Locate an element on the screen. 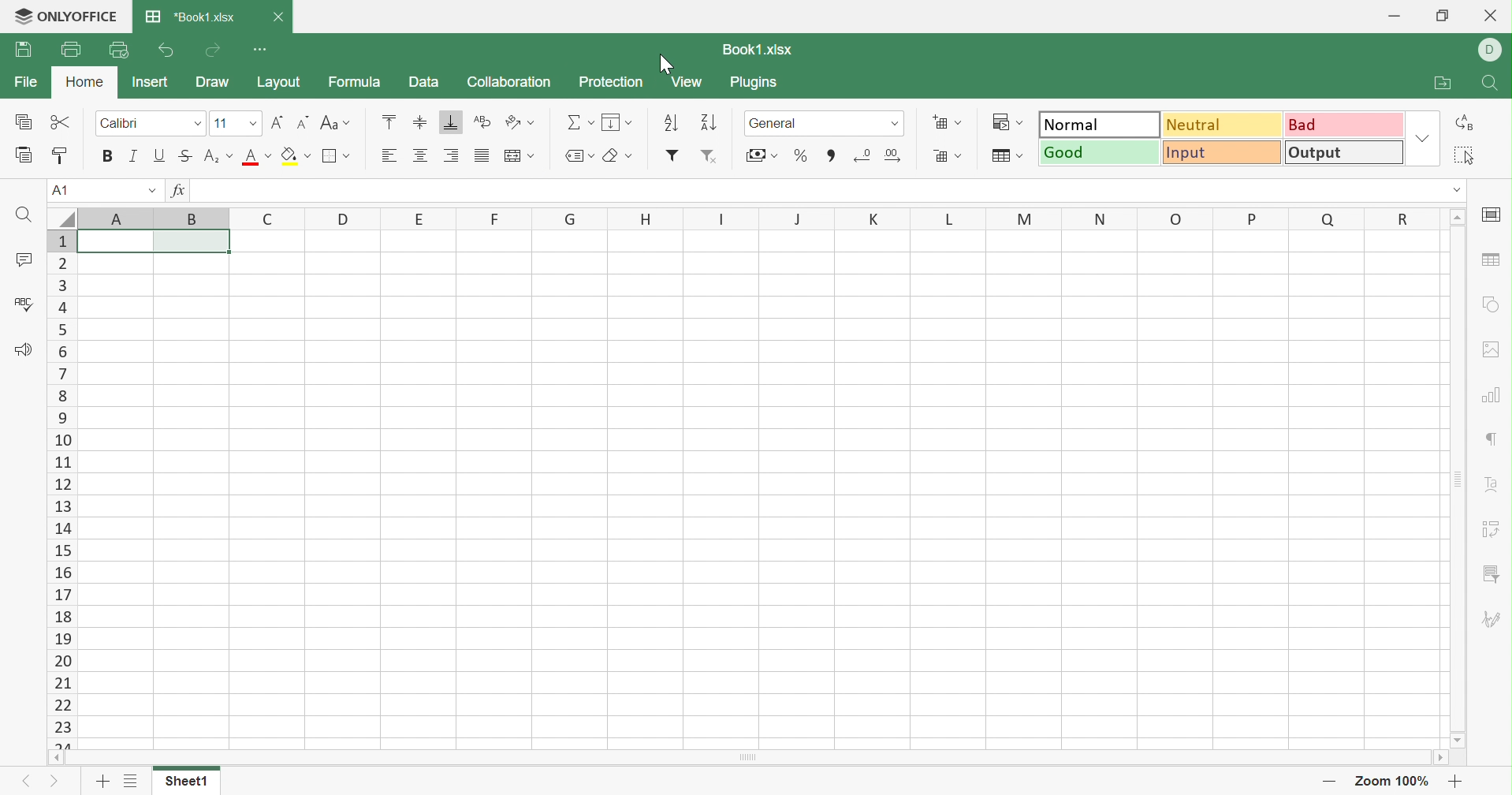  Align Right is located at coordinates (454, 155).